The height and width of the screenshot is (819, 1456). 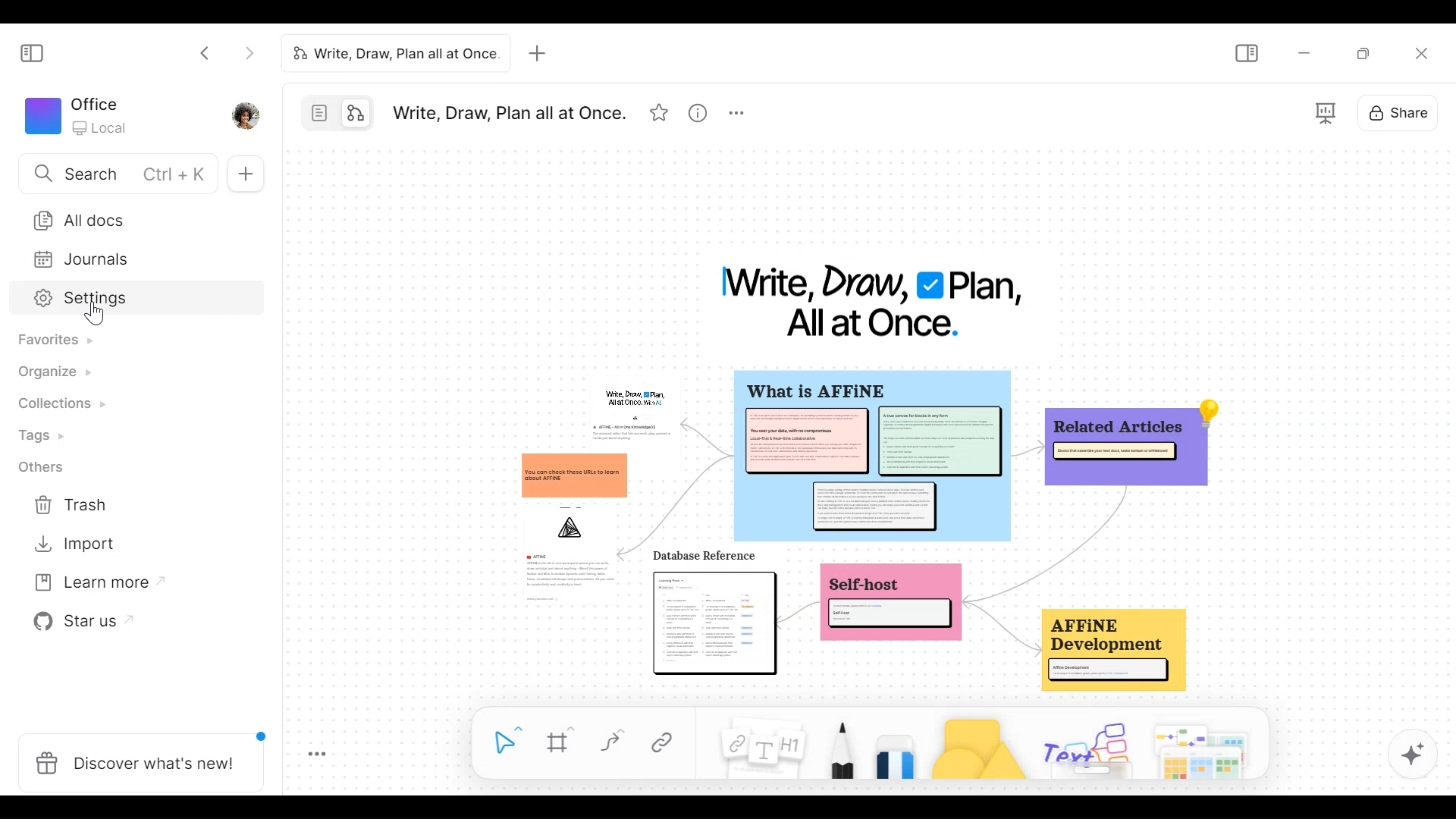 What do you see at coordinates (1414, 755) in the screenshot?
I see `AFFiNE AI` at bounding box center [1414, 755].